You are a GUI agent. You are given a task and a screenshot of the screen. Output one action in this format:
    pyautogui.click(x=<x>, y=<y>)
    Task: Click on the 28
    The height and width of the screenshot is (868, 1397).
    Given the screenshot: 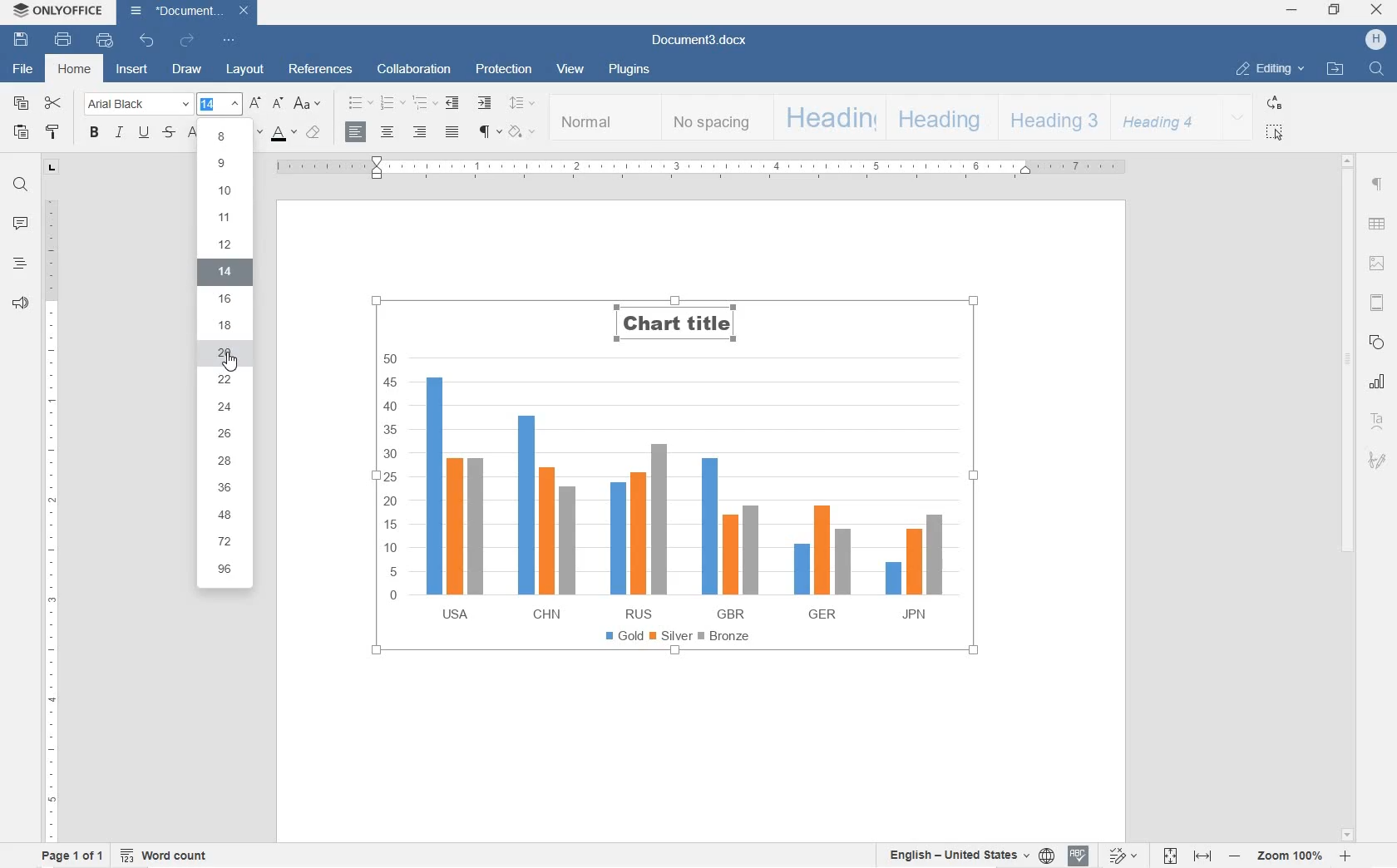 What is the action you would take?
    pyautogui.click(x=225, y=462)
    